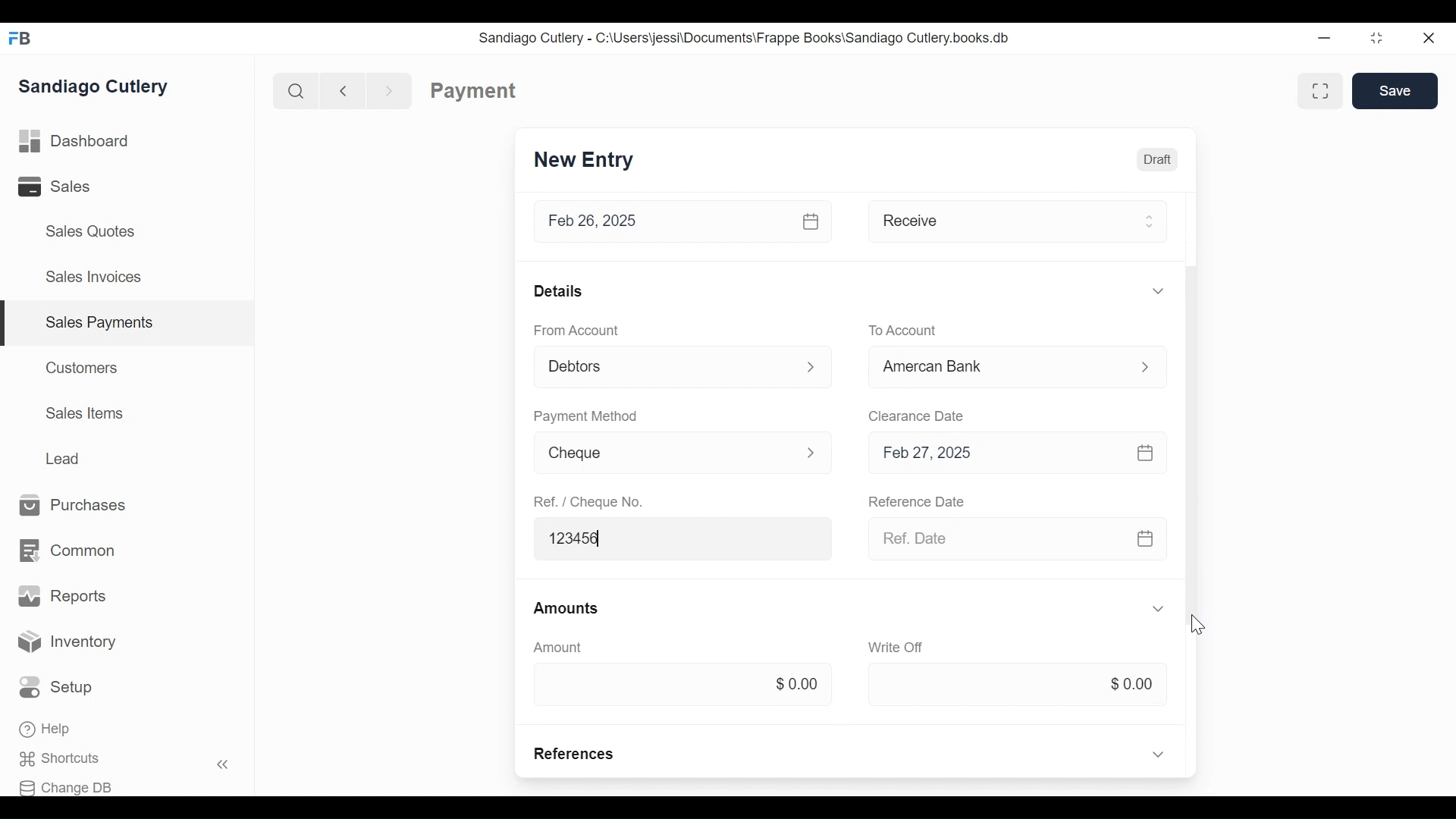 The width and height of the screenshot is (1456, 819). I want to click on Sales Quotes, so click(89, 231).